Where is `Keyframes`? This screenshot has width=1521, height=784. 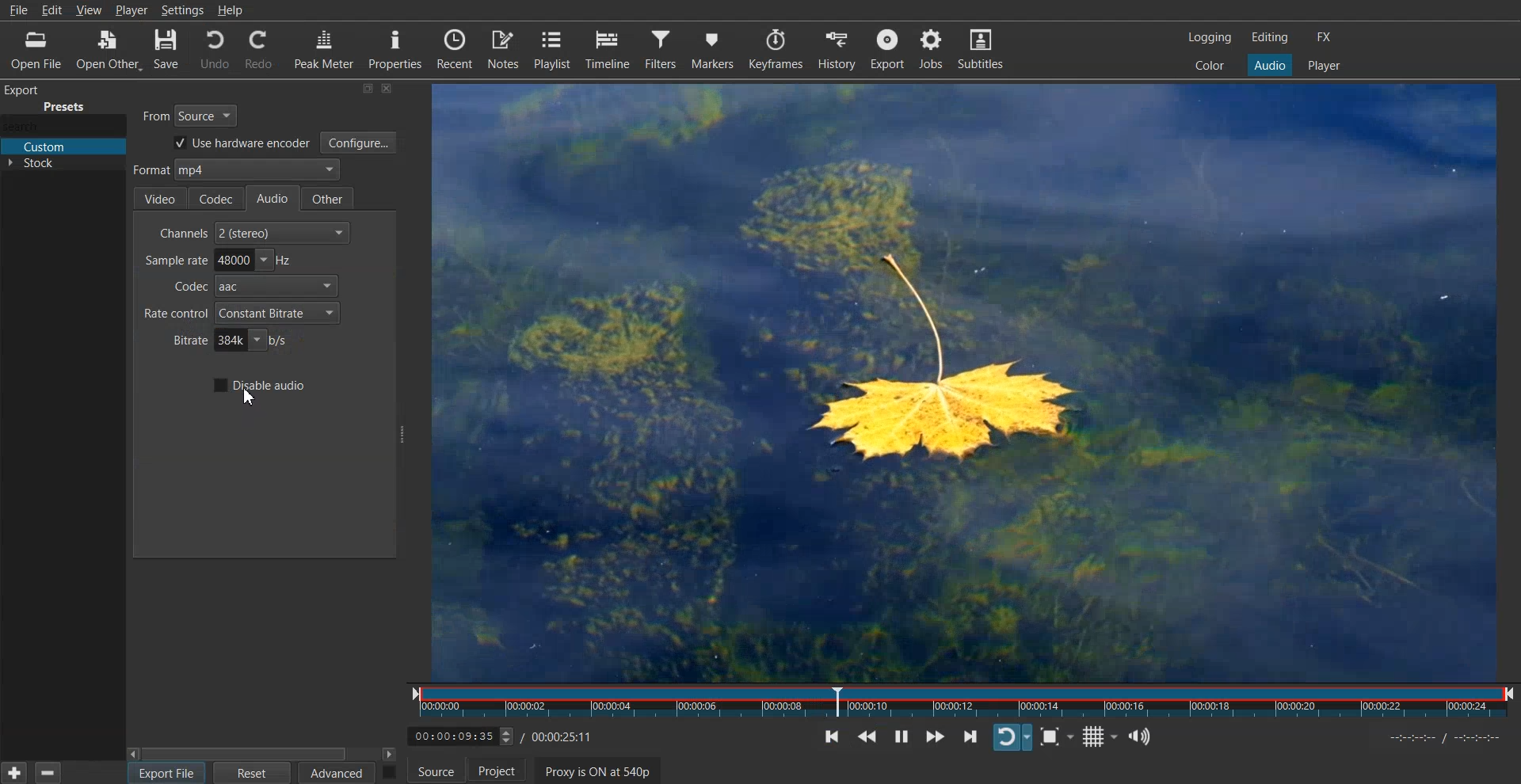
Keyframes is located at coordinates (778, 48).